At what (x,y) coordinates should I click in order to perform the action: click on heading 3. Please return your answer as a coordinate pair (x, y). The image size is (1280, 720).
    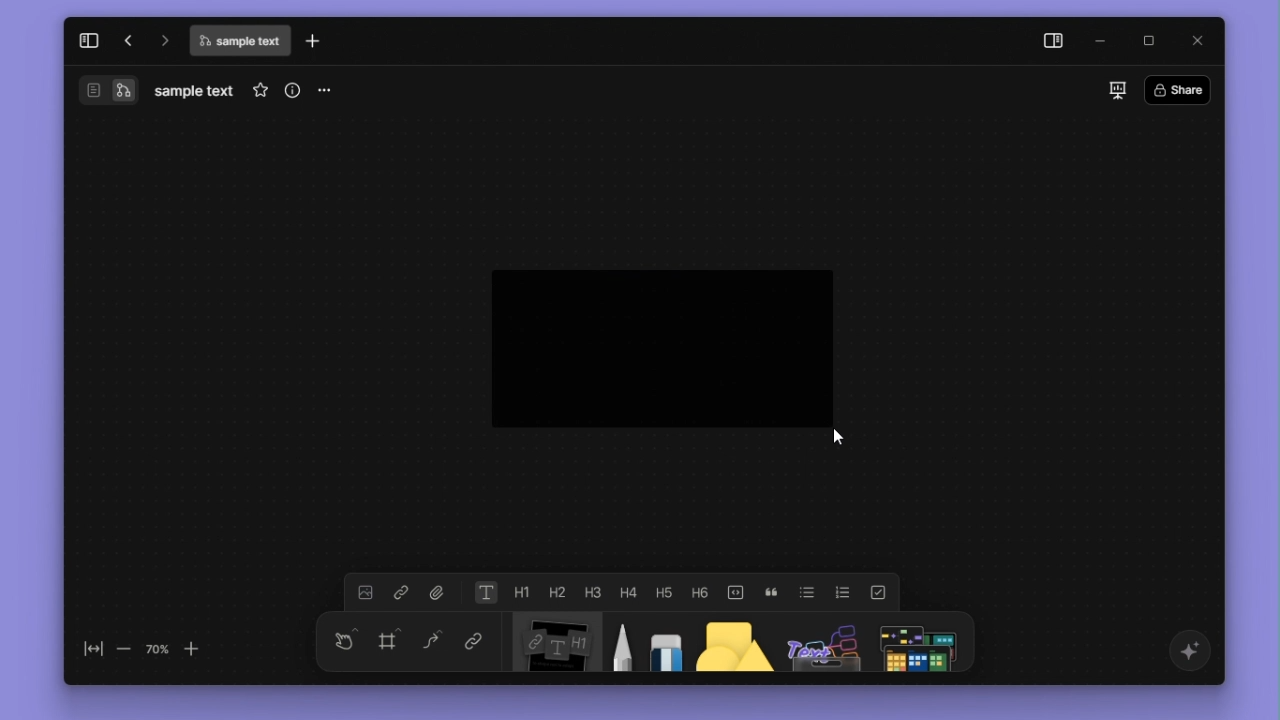
    Looking at the image, I should click on (592, 590).